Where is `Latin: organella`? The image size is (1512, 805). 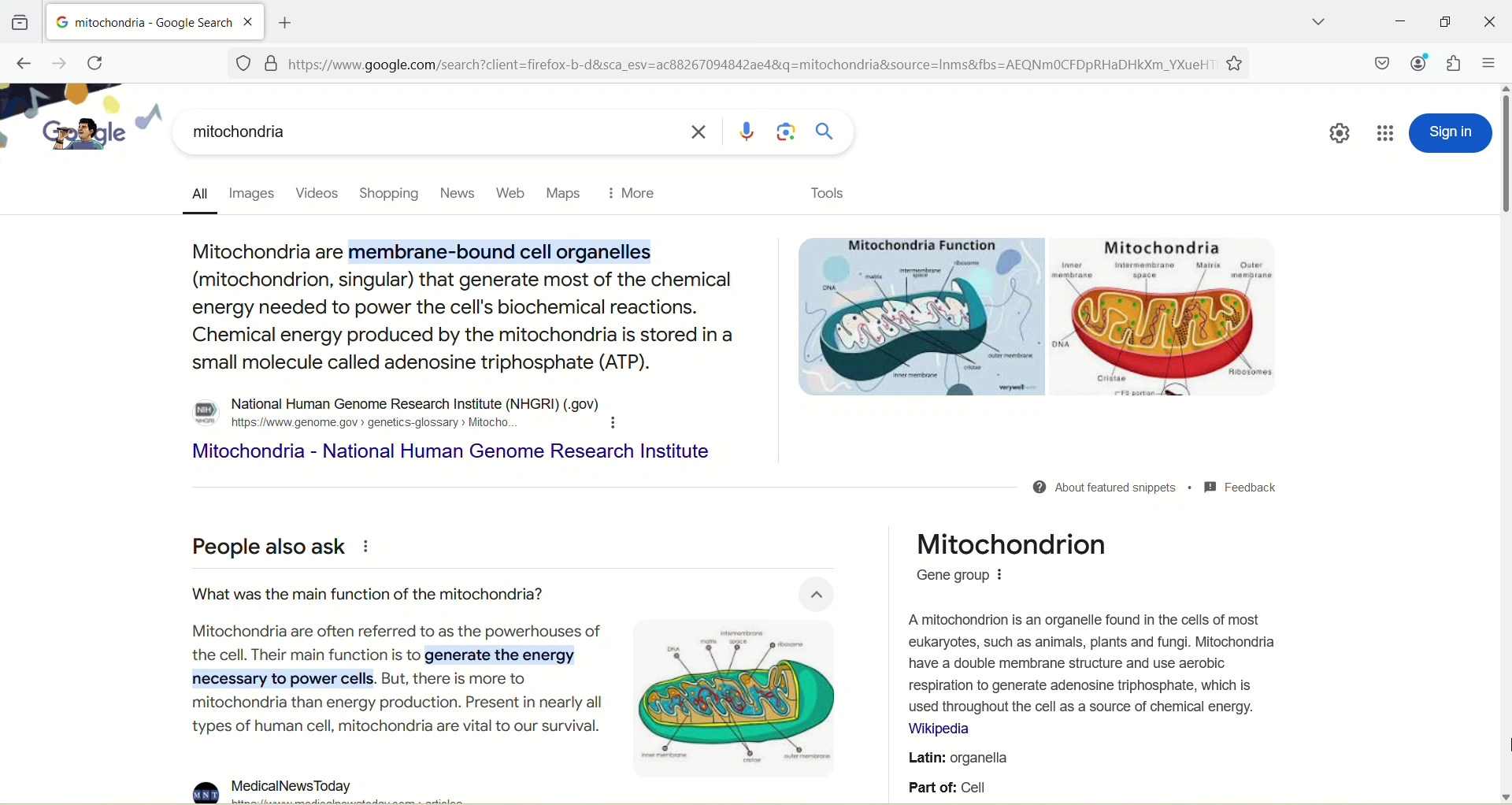 Latin: organella is located at coordinates (951, 759).